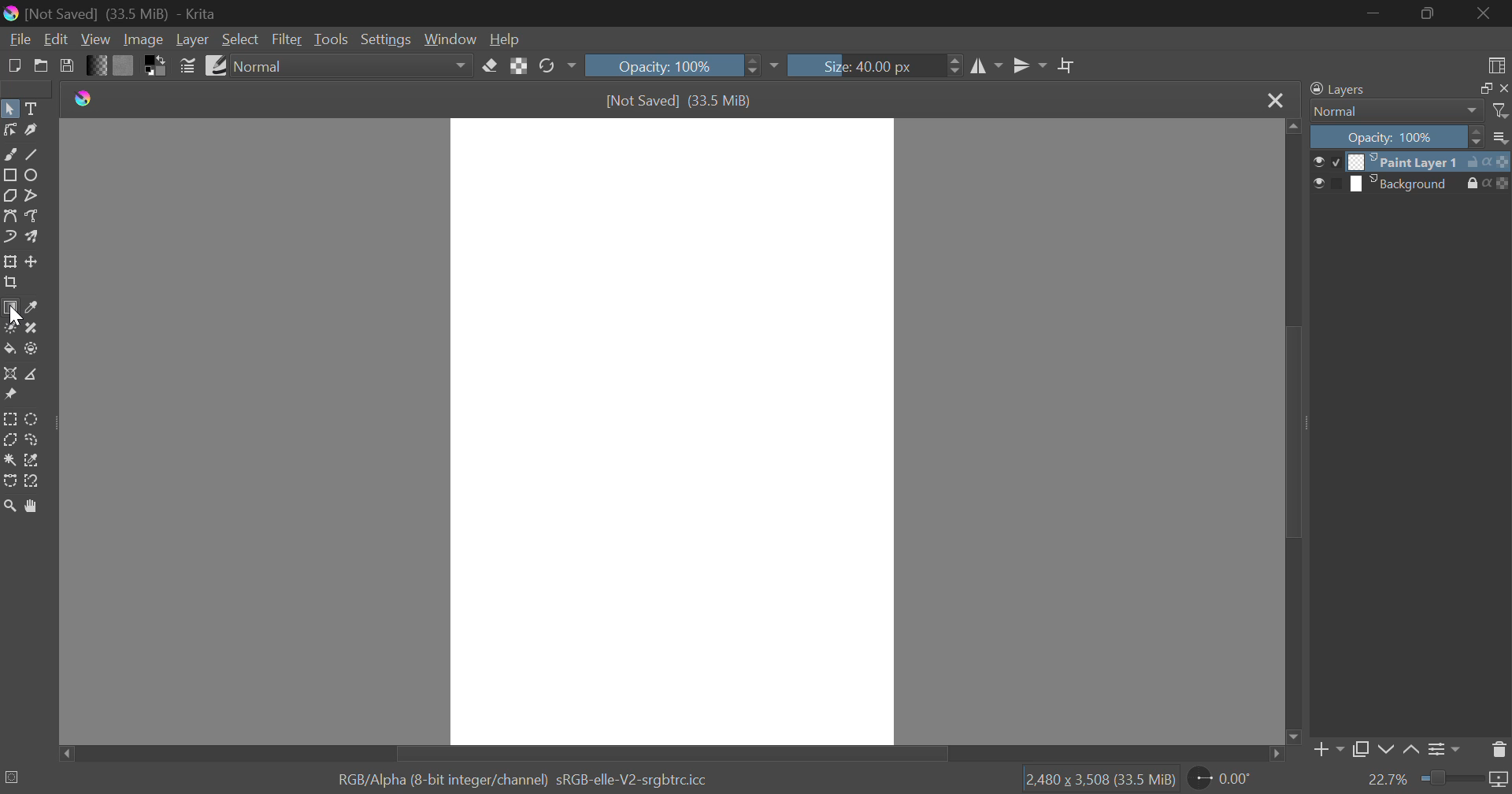 This screenshot has width=1512, height=794. Describe the element at coordinates (57, 39) in the screenshot. I see `Edit` at that location.